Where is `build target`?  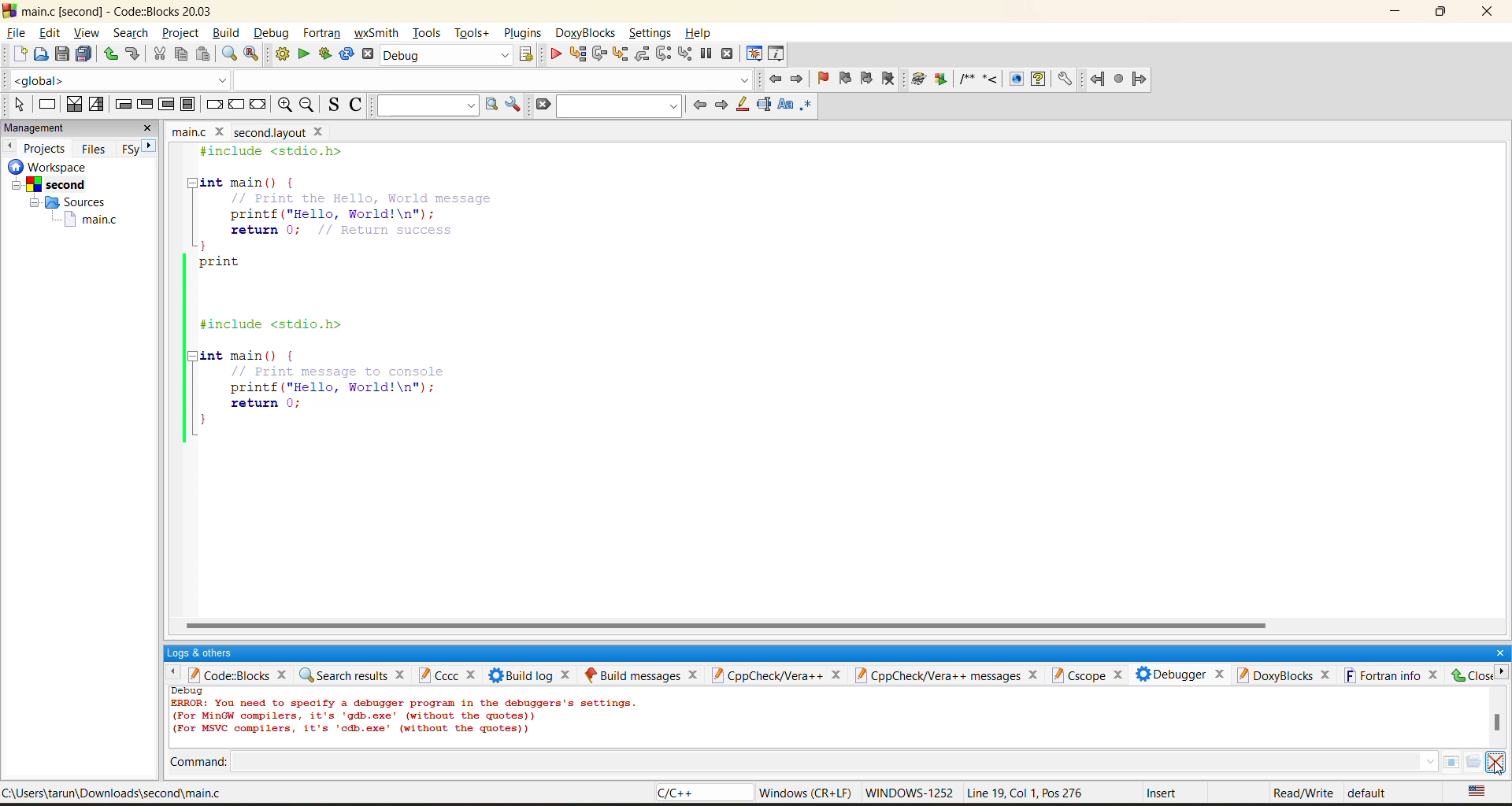
build target is located at coordinates (448, 54).